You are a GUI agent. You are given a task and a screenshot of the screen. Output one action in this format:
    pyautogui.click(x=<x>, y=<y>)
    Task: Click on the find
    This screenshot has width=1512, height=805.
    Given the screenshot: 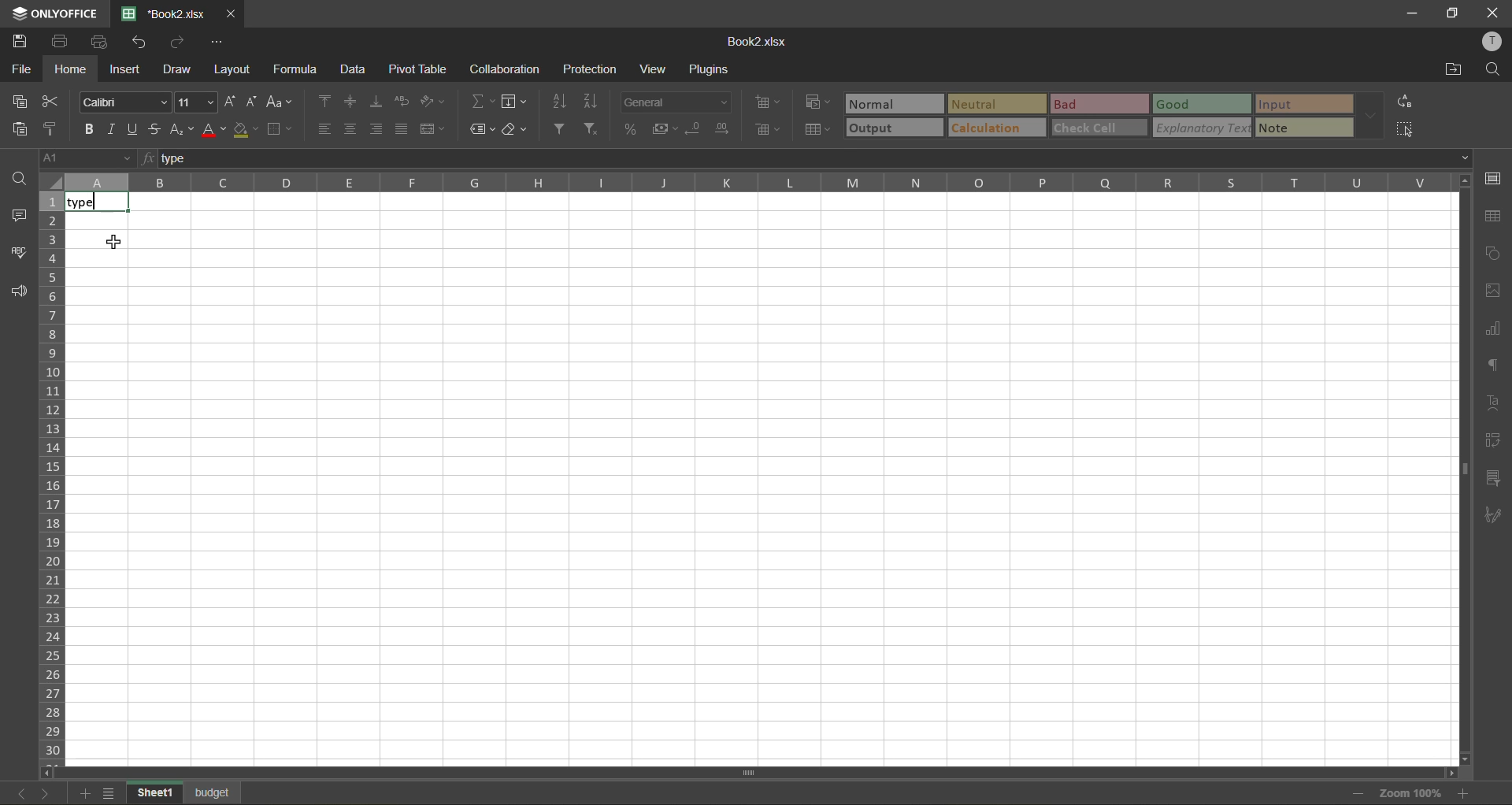 What is the action you would take?
    pyautogui.click(x=19, y=179)
    